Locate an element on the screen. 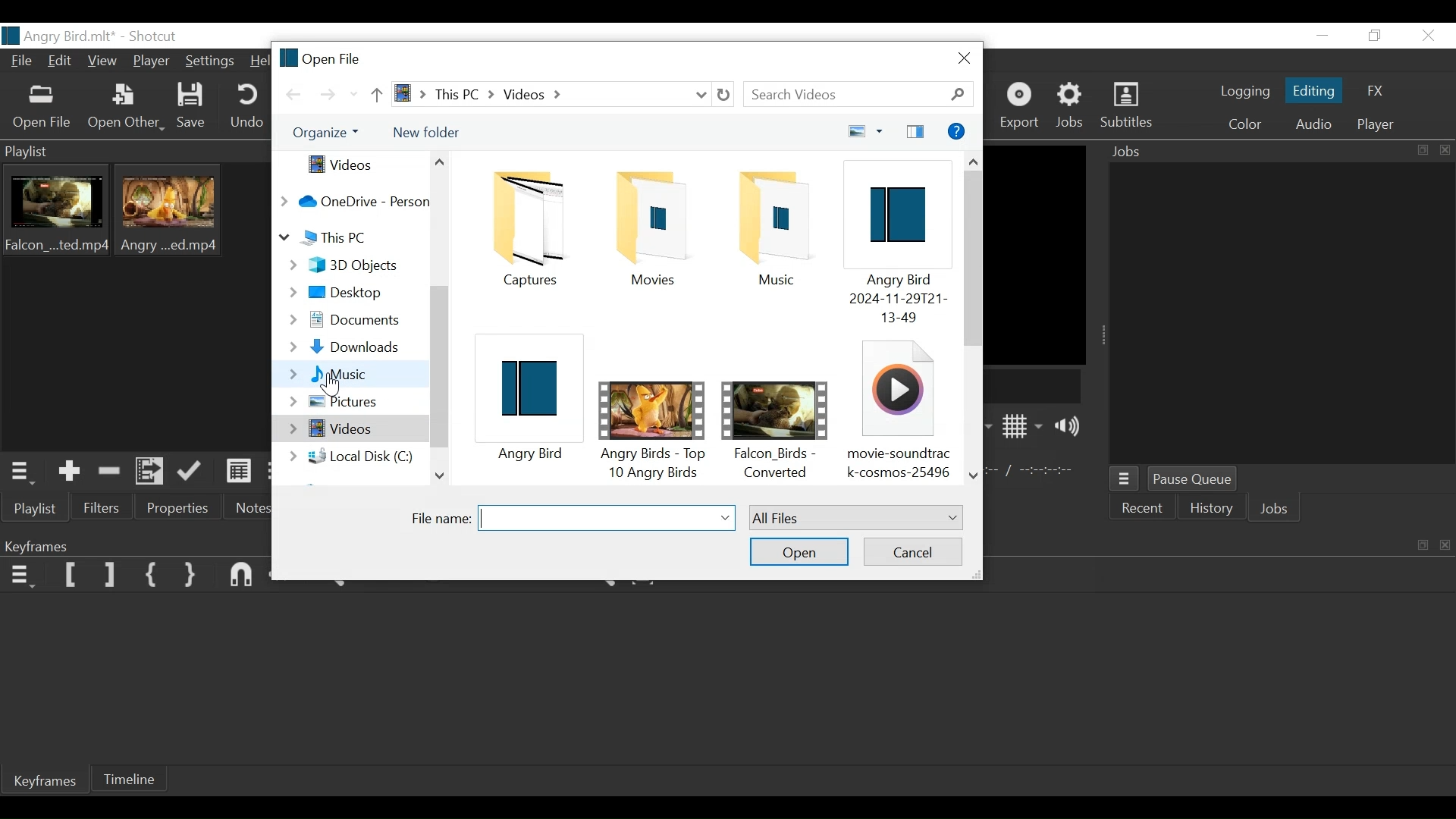 This screenshot has height=819, width=1456. Close is located at coordinates (1429, 36).